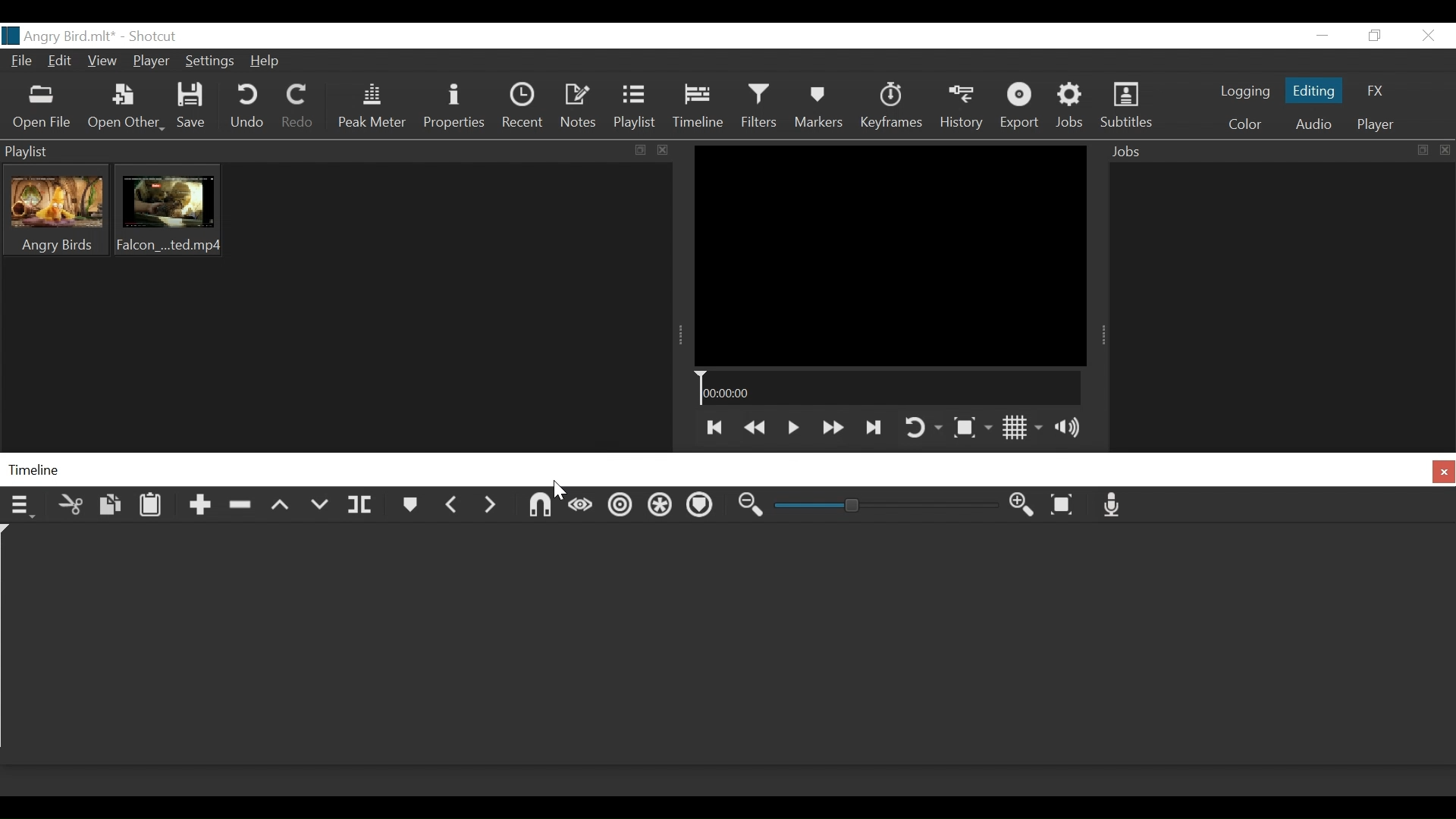  What do you see at coordinates (21, 63) in the screenshot?
I see `File` at bounding box center [21, 63].